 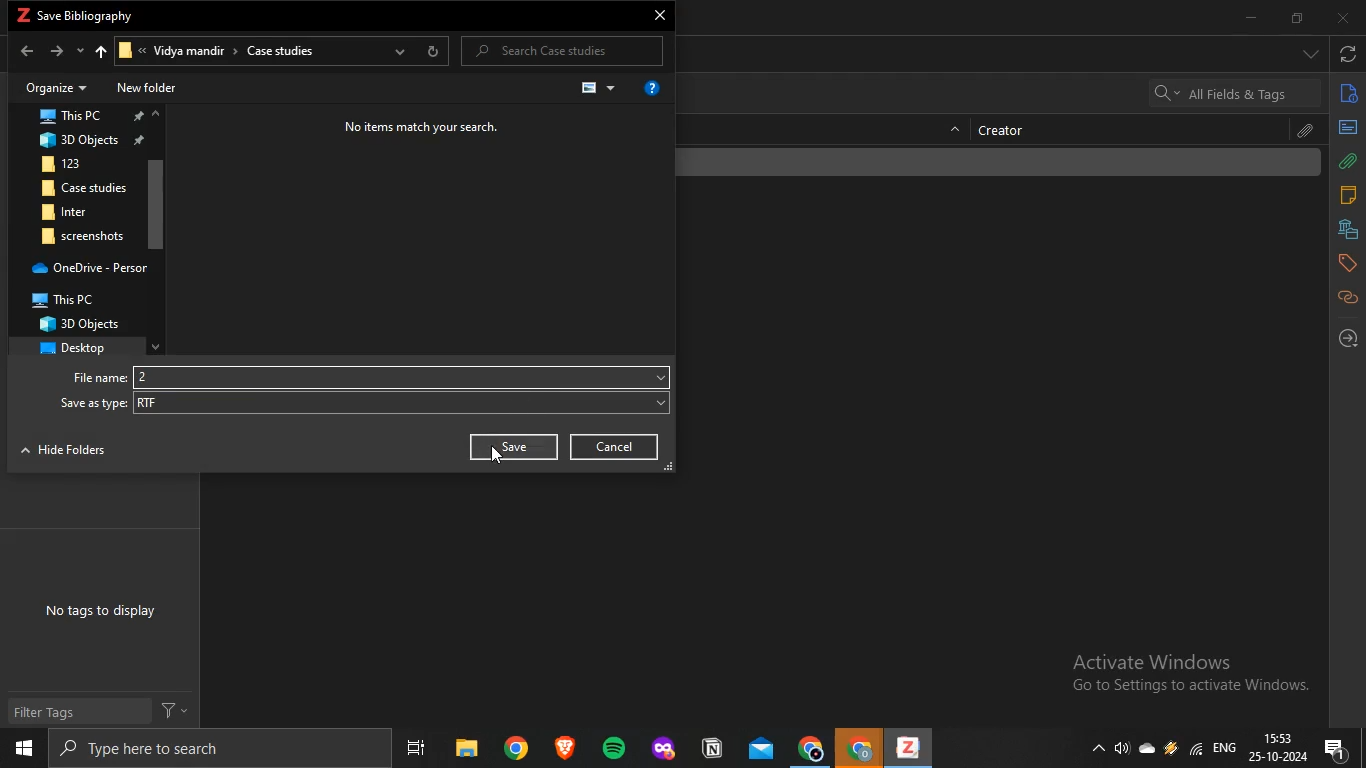 I want to click on abstract, so click(x=1347, y=127).